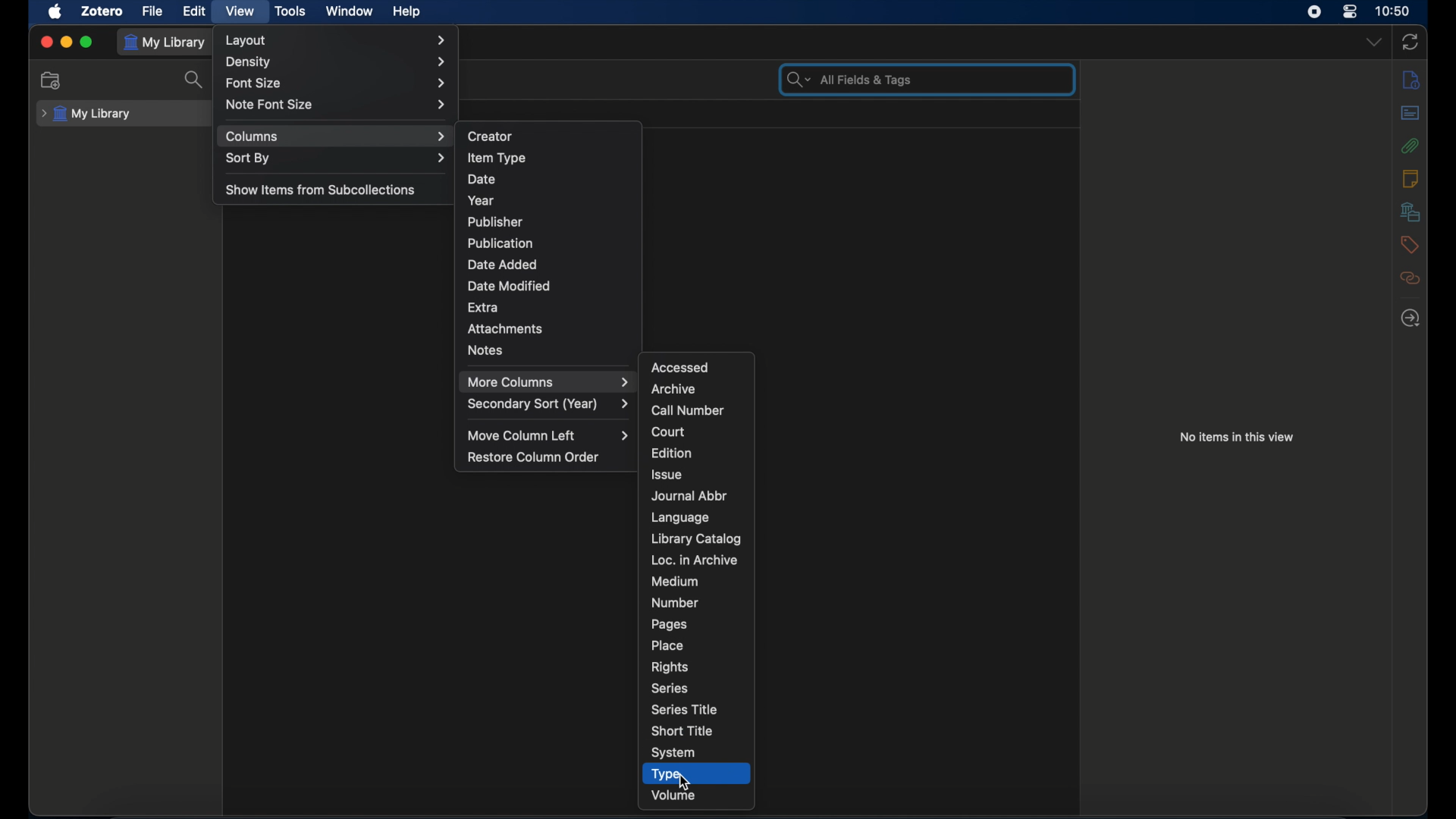 Image resolution: width=1456 pixels, height=819 pixels. What do you see at coordinates (335, 83) in the screenshot?
I see `font size` at bounding box center [335, 83].